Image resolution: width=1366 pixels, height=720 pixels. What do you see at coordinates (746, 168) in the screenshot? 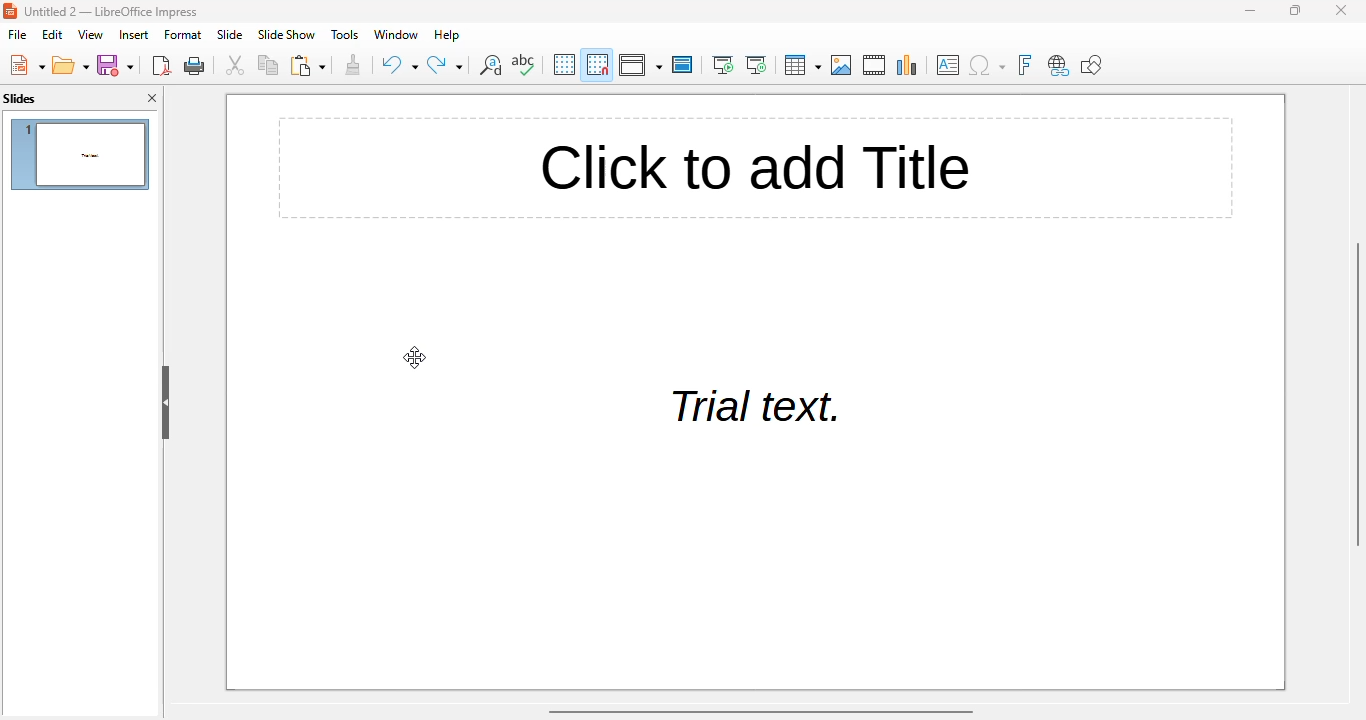
I see `Click to add Title` at bounding box center [746, 168].